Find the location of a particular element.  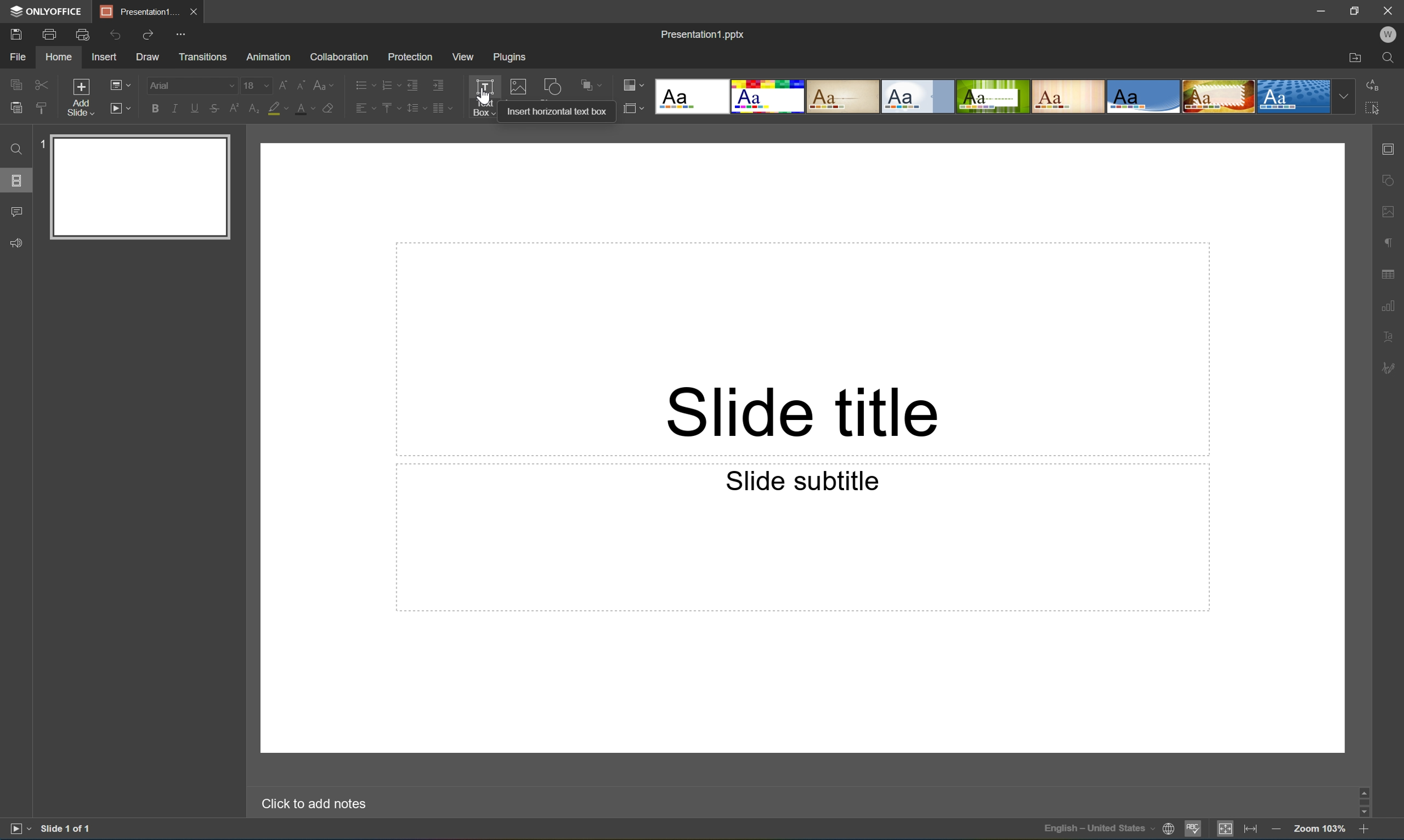

Fit to width is located at coordinates (1251, 830).